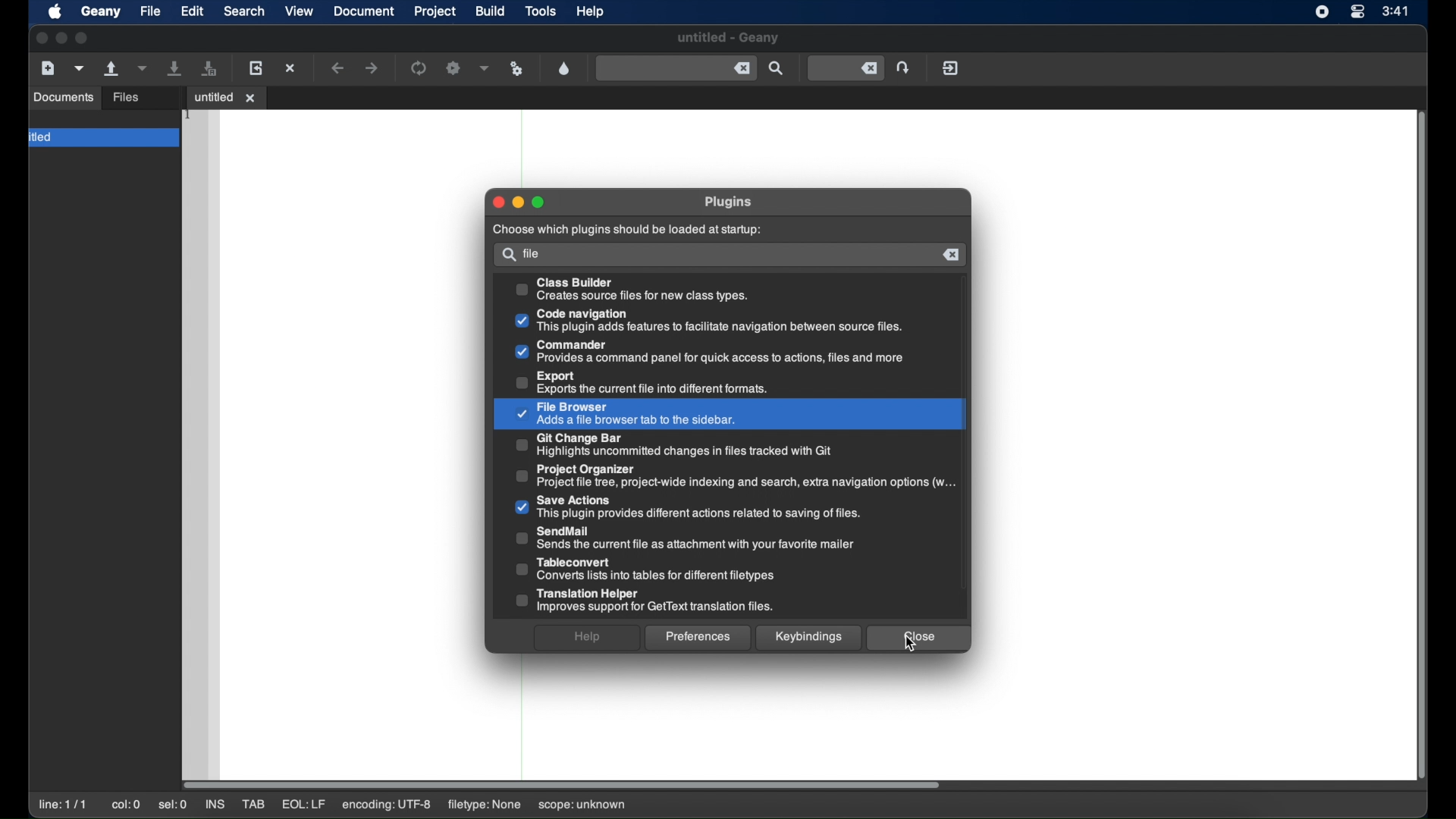 This screenshot has height=819, width=1456. Describe the element at coordinates (226, 96) in the screenshot. I see `untitled 1` at that location.